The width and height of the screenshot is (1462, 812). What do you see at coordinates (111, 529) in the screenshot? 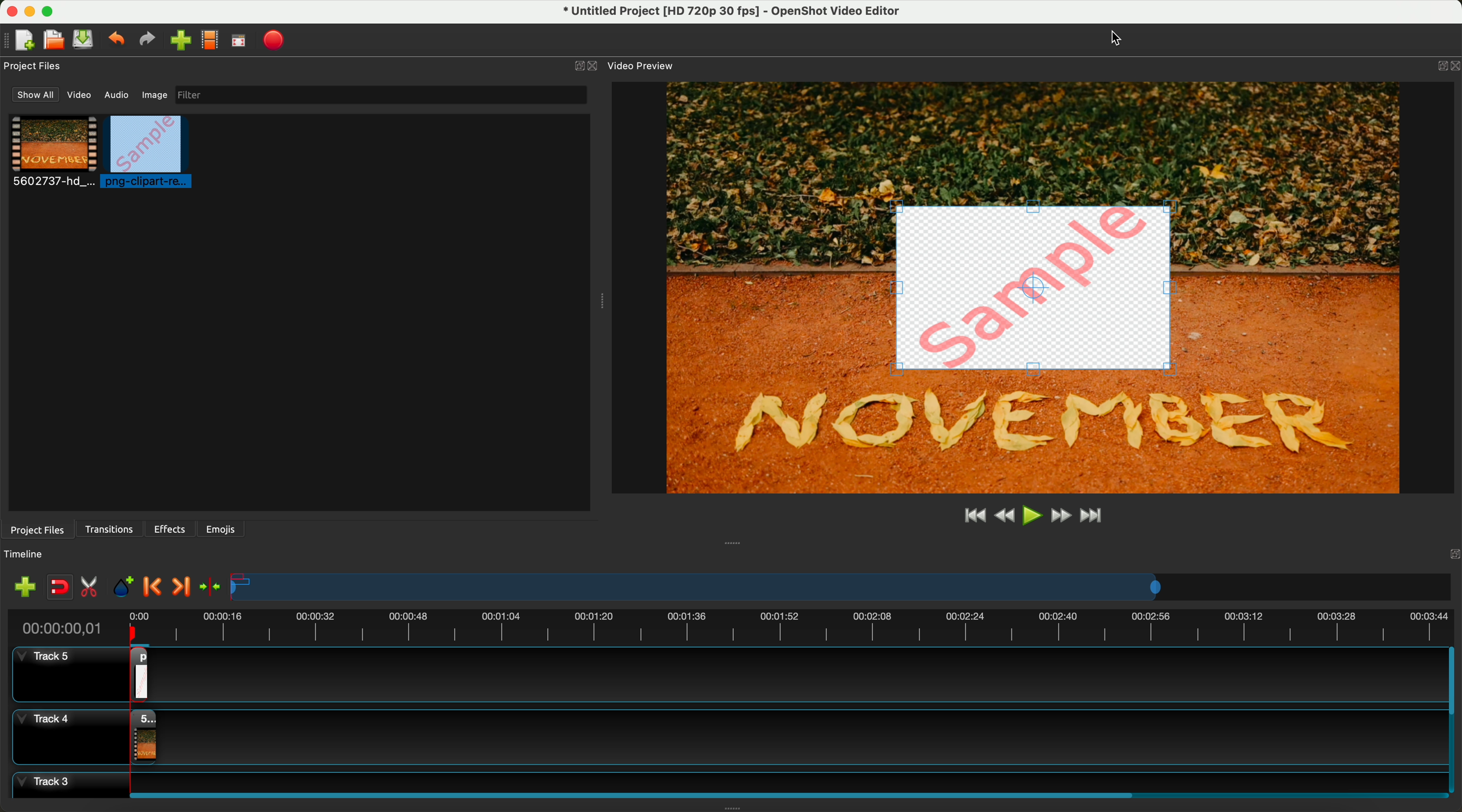
I see `transitions` at bounding box center [111, 529].